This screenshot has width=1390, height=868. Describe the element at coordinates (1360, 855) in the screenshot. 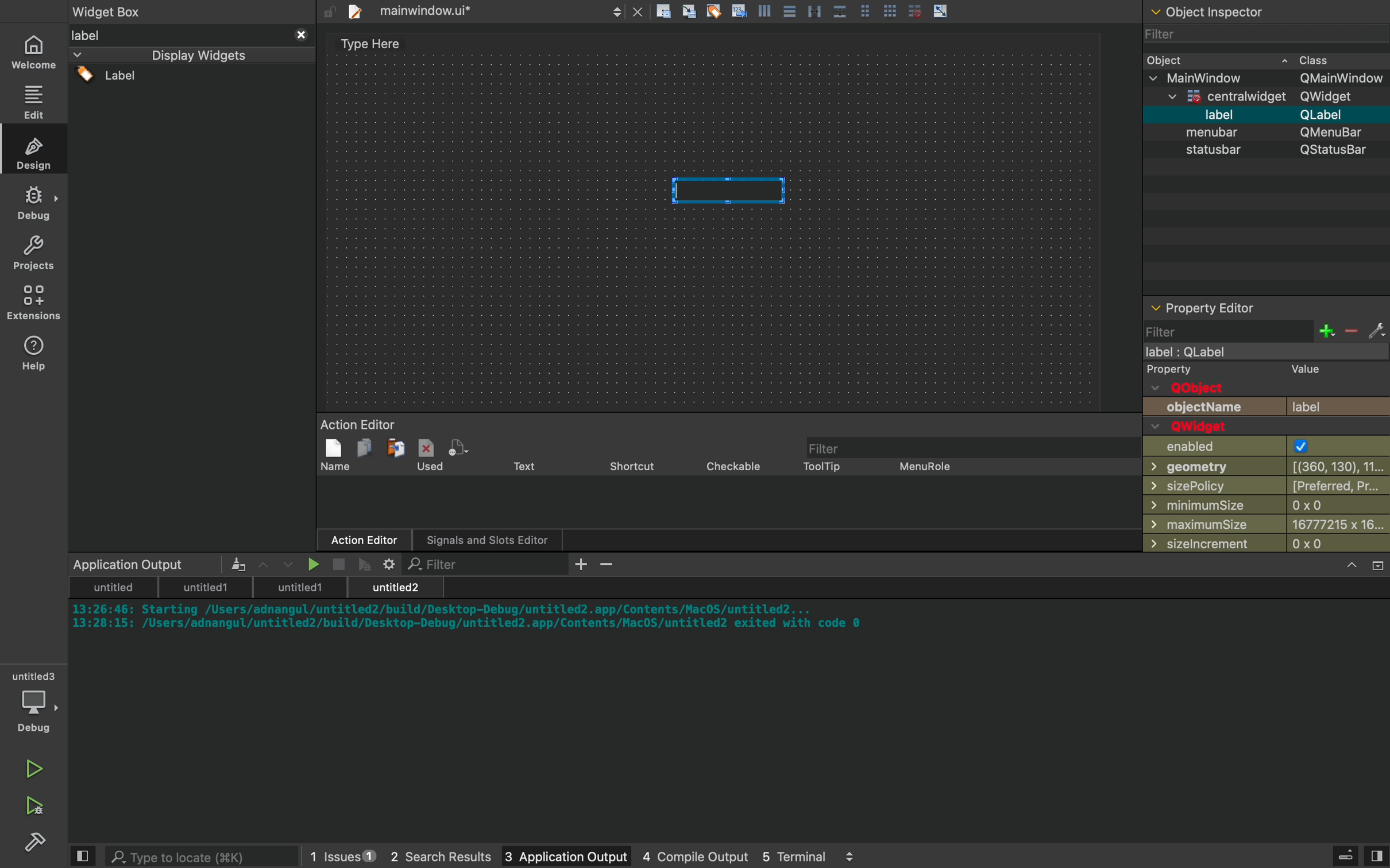

I see `` at that location.